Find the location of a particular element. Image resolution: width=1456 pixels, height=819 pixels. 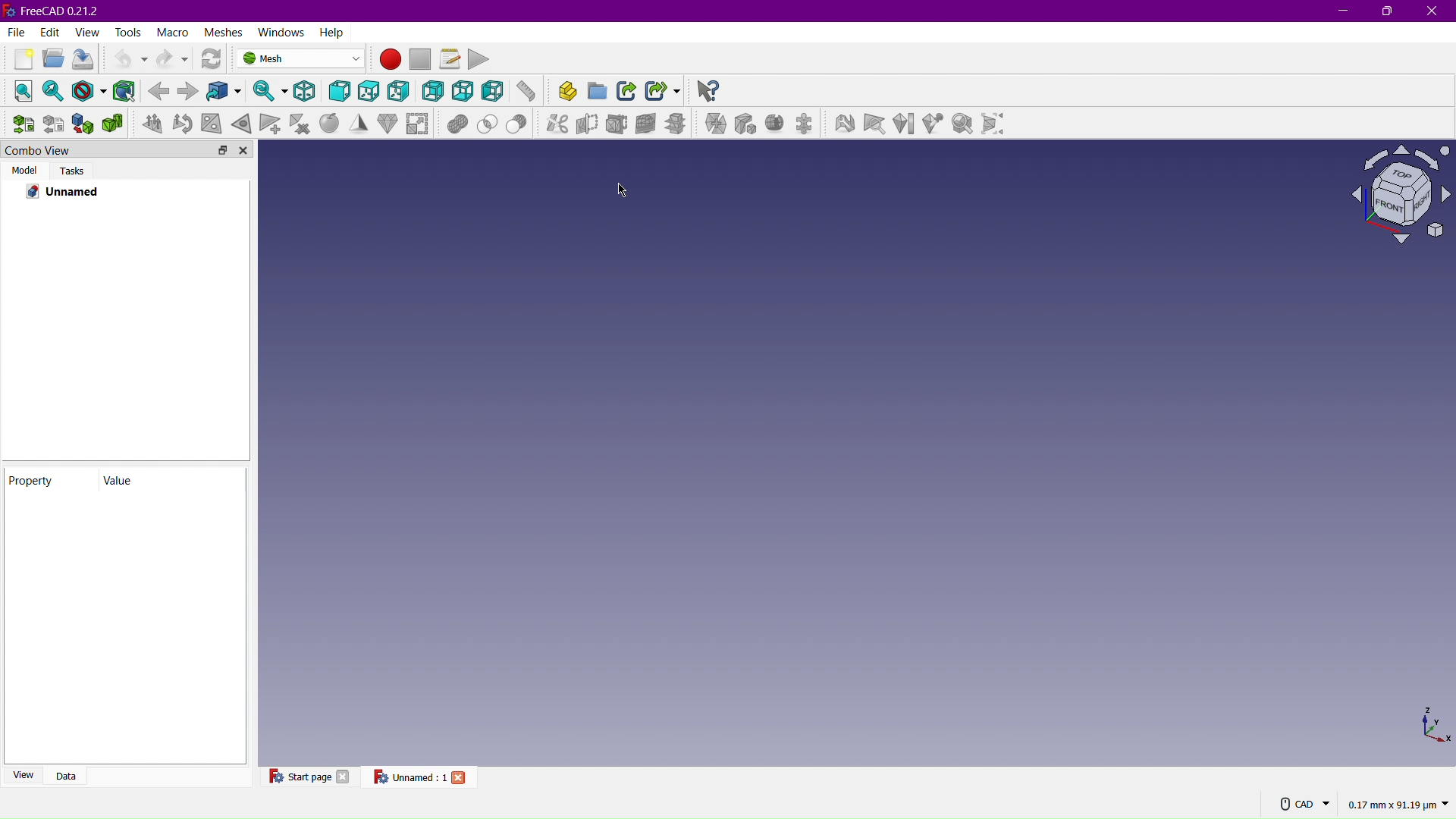

Curvature info is located at coordinates (933, 127).